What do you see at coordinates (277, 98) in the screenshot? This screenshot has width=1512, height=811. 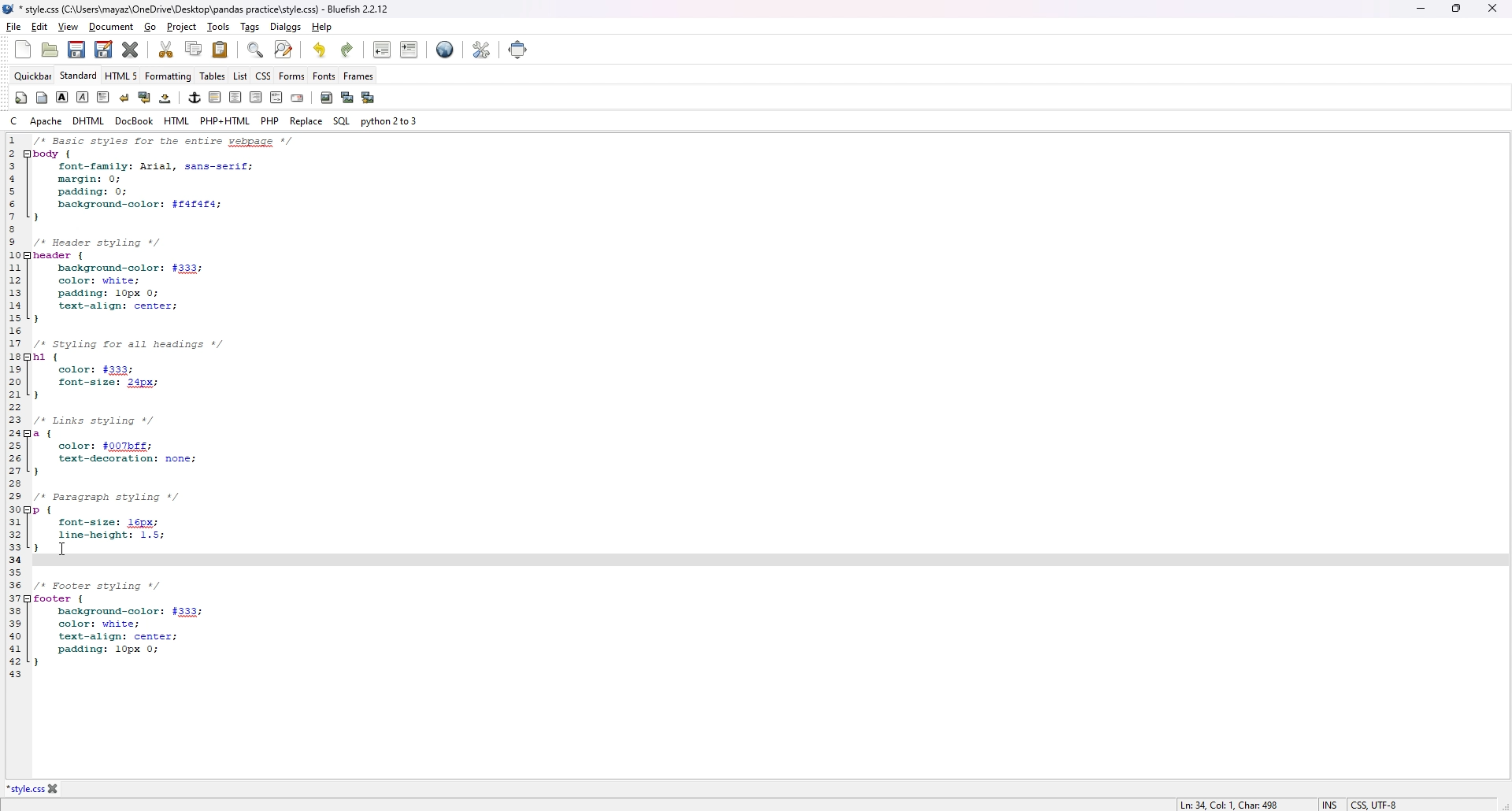 I see `html comment` at bounding box center [277, 98].